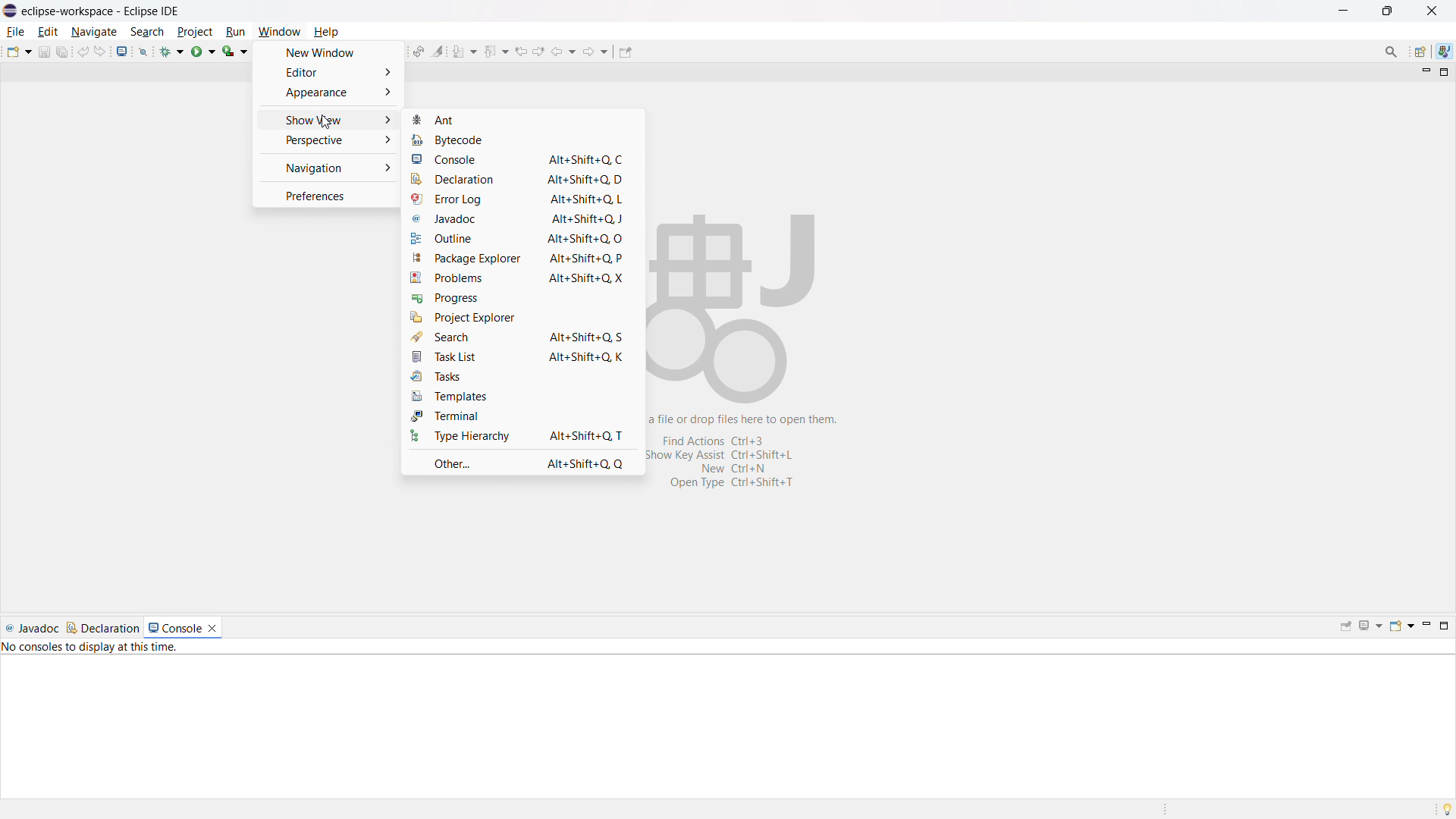  I want to click on undo, so click(82, 52).